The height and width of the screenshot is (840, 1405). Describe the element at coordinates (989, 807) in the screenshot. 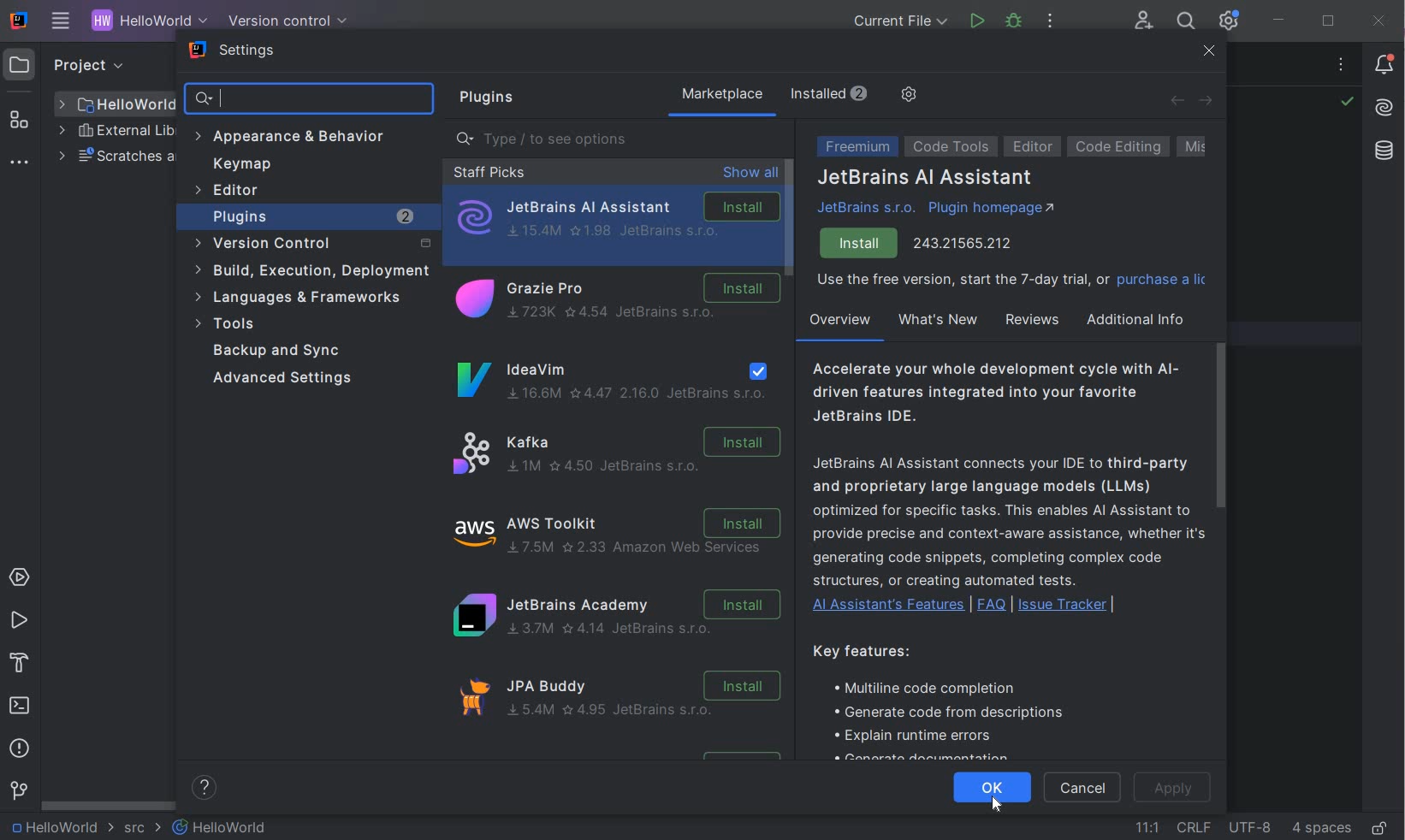

I see `cursor` at that location.